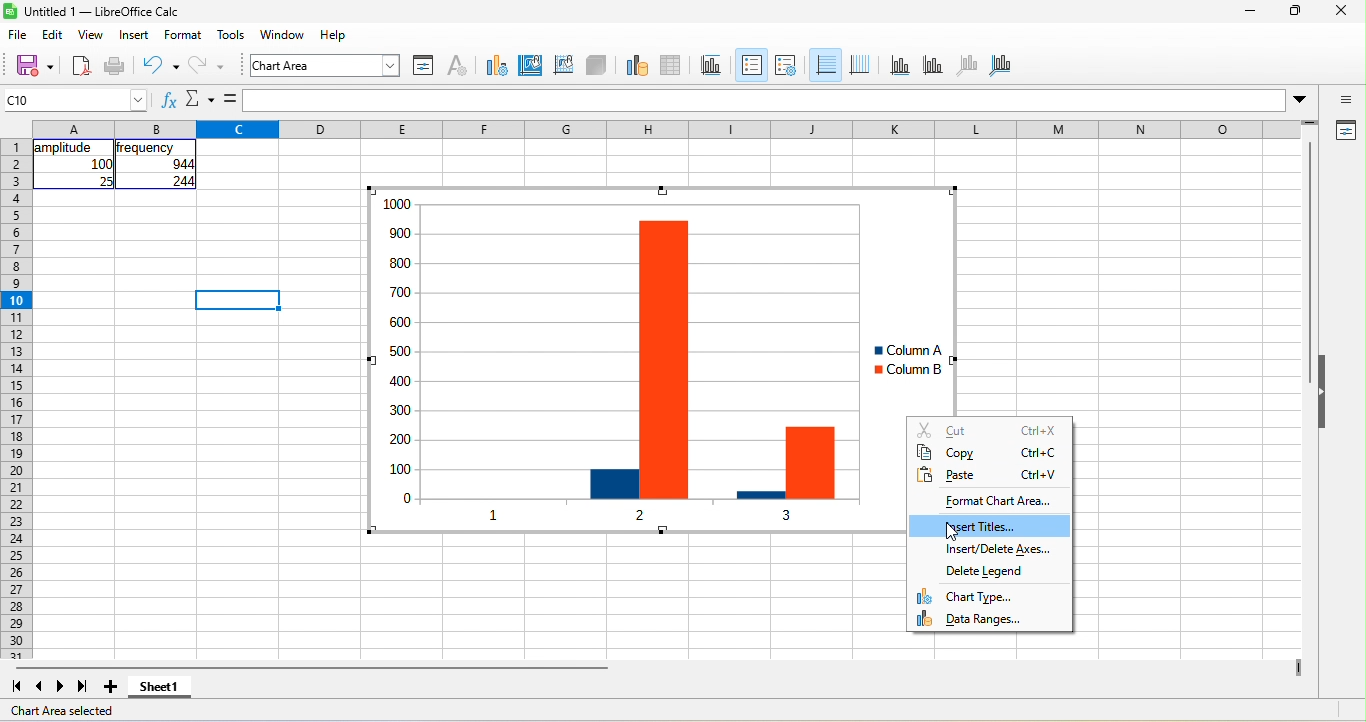 This screenshot has width=1366, height=722. Describe the element at coordinates (1342, 10) in the screenshot. I see `close` at that location.